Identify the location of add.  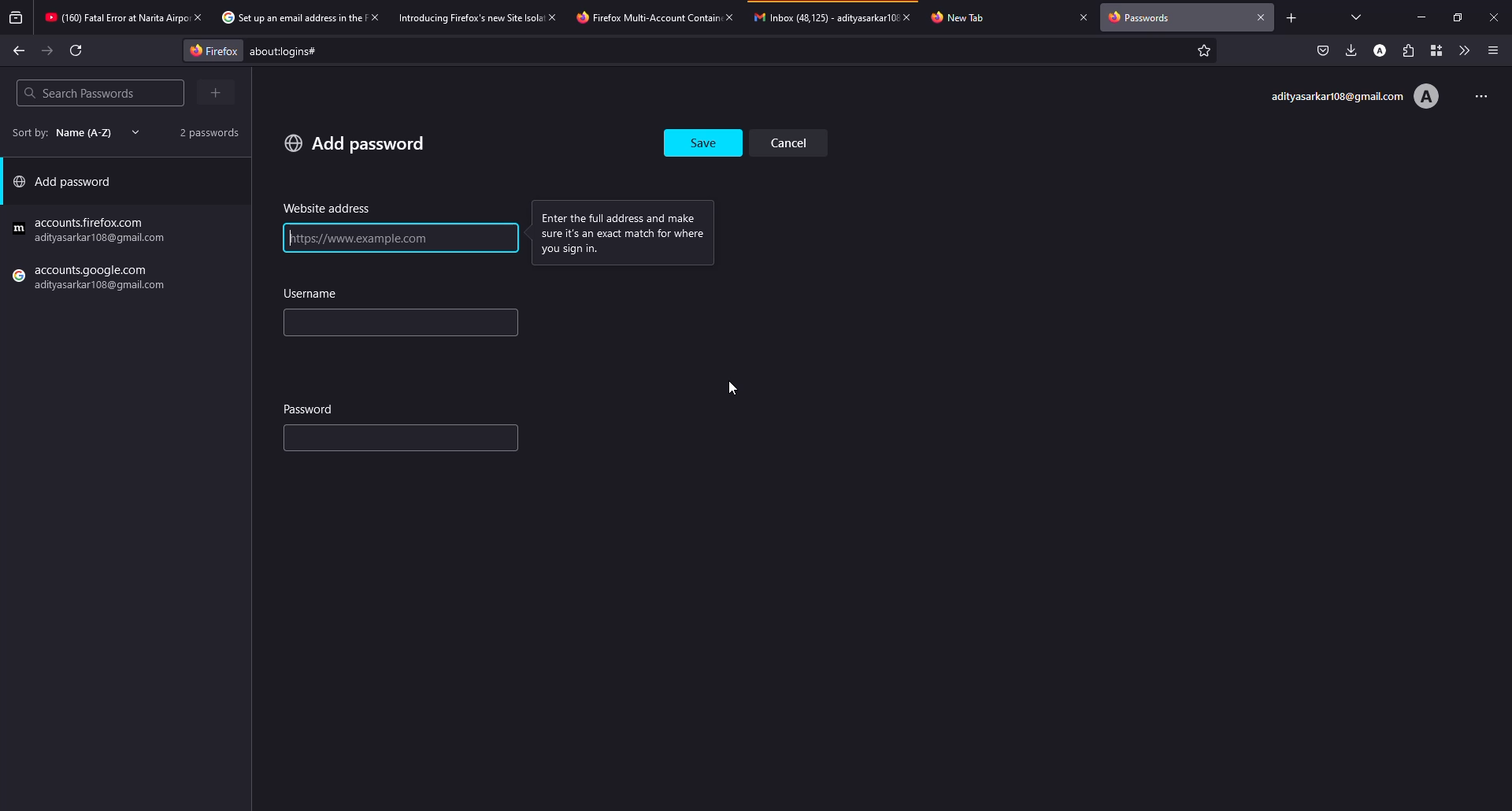
(355, 143).